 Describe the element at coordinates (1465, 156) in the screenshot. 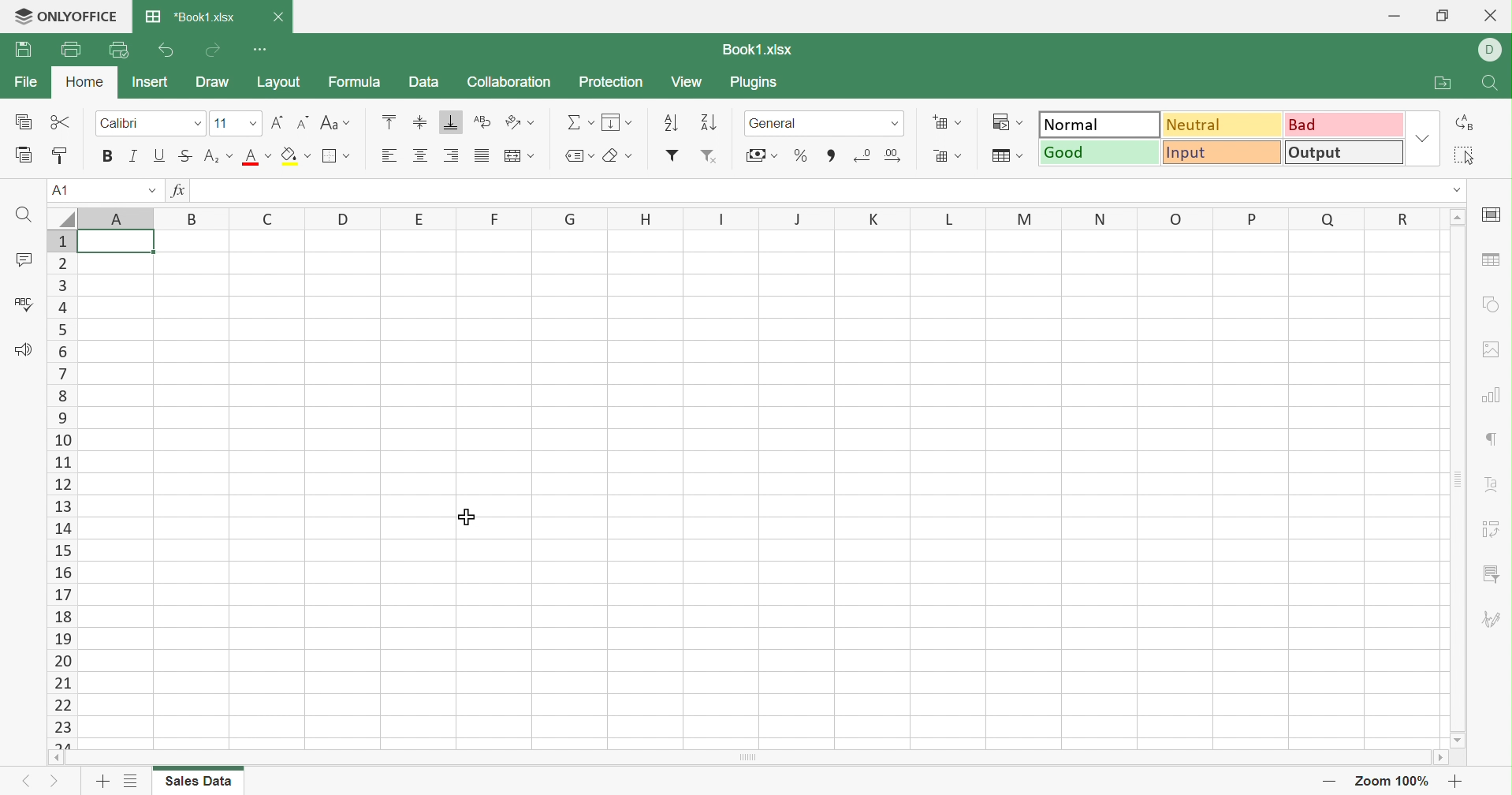

I see `Select all` at that location.